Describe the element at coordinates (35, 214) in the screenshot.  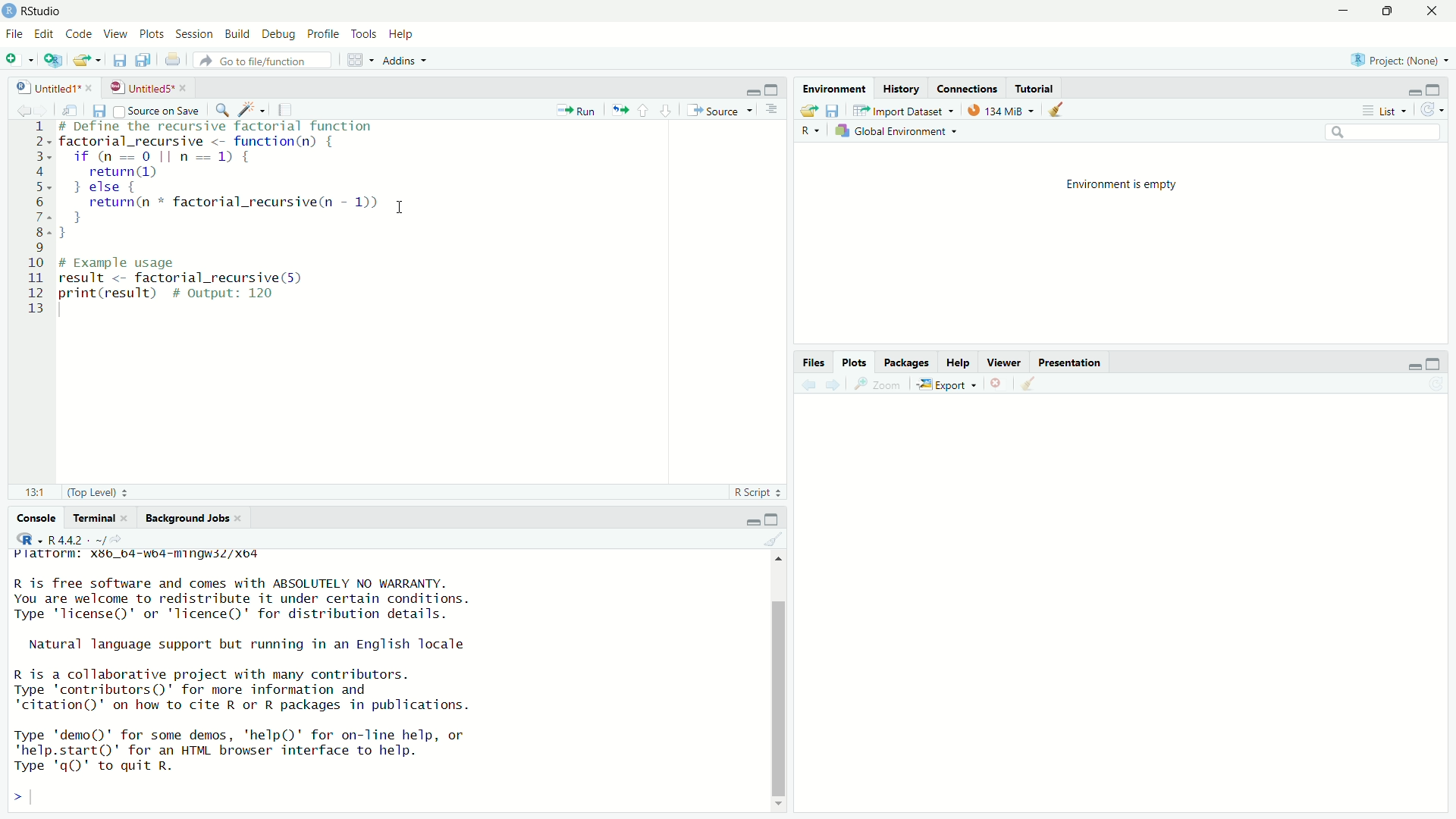
I see `12345678910111213` at that location.